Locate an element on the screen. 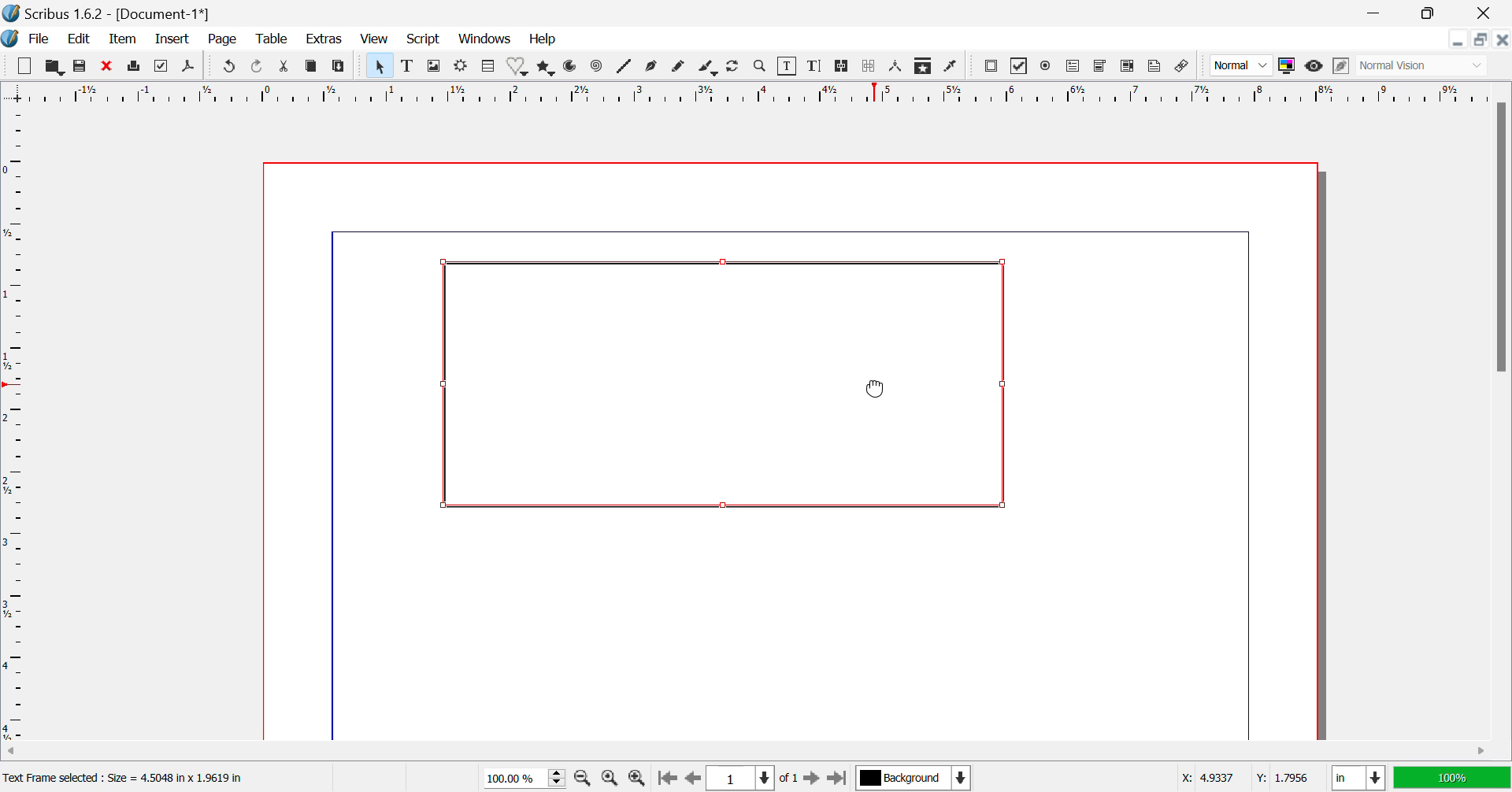  Save is located at coordinates (79, 66).